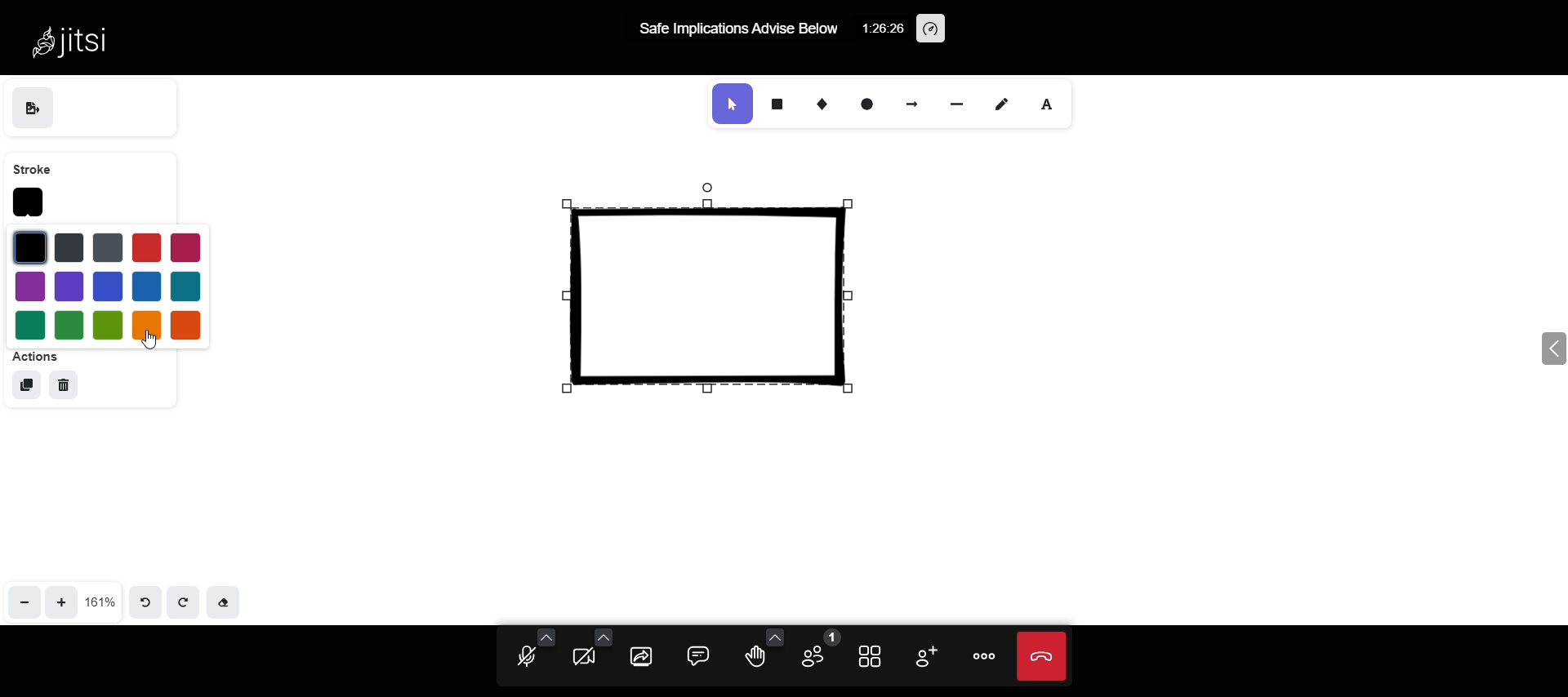 Image resolution: width=1568 pixels, height=697 pixels. Describe the element at coordinates (1004, 101) in the screenshot. I see `draw` at that location.